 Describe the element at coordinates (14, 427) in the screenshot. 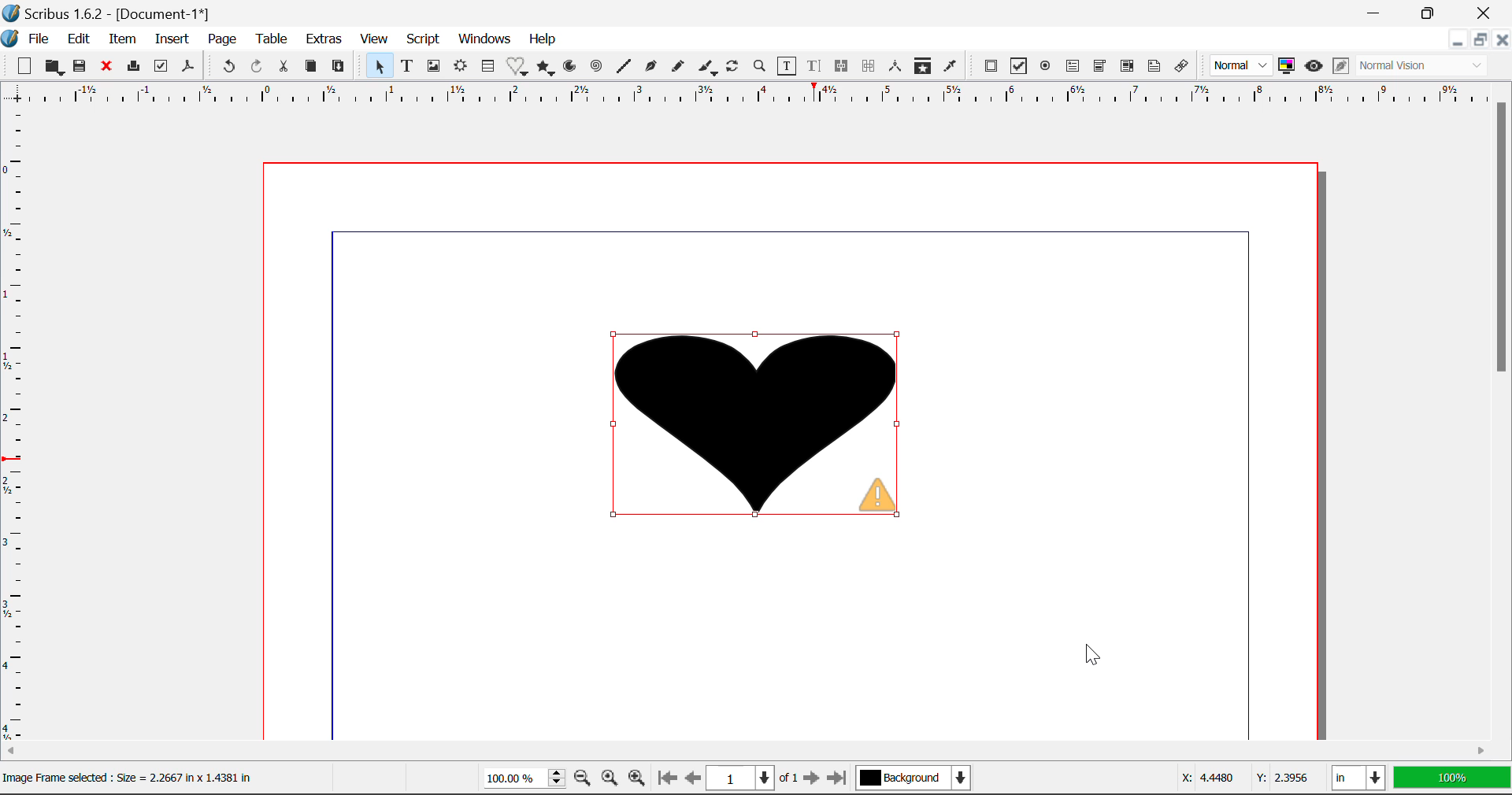

I see `Horizontal Page Margins` at that location.